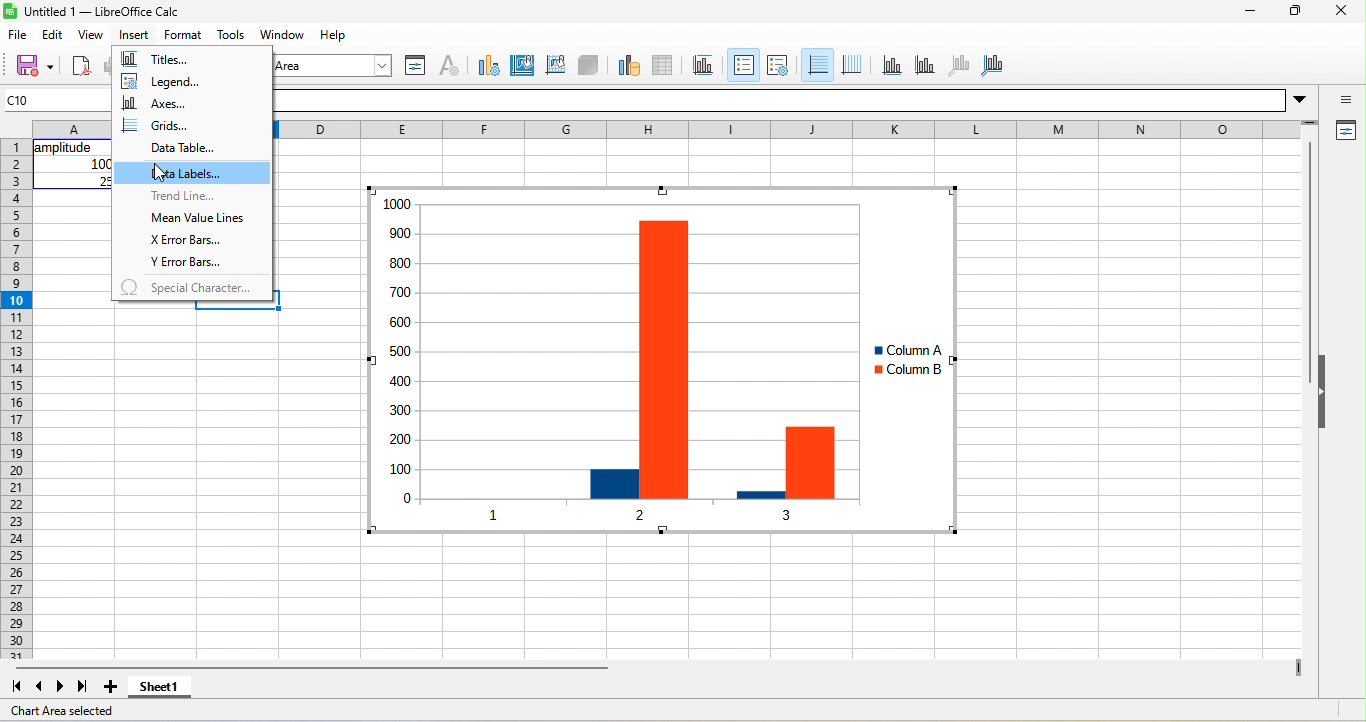 The width and height of the screenshot is (1366, 722). I want to click on 100, so click(101, 164).